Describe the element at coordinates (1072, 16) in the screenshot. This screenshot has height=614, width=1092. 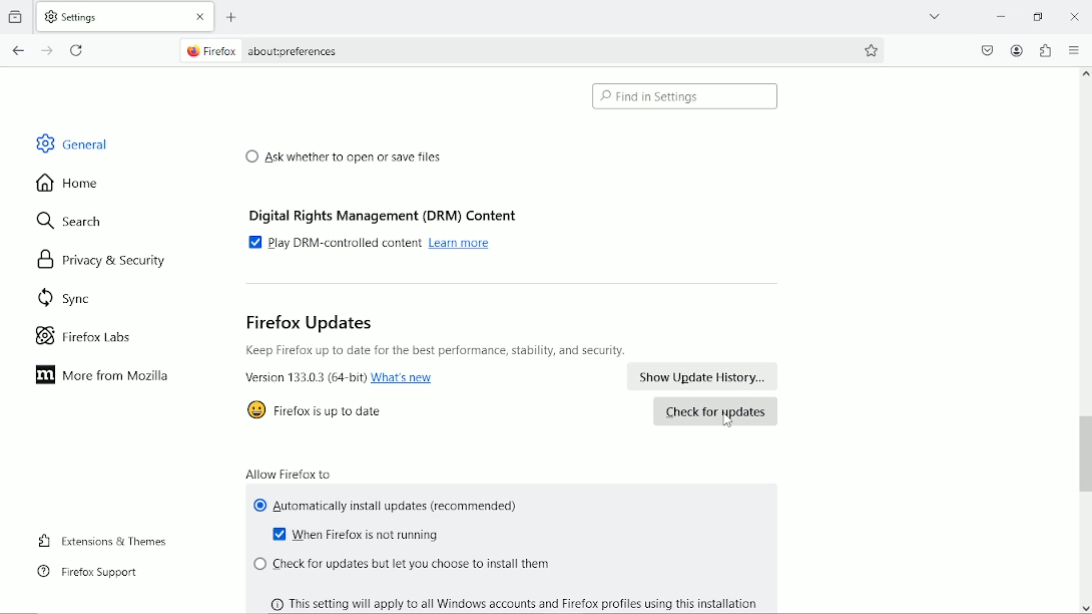
I see `` at that location.